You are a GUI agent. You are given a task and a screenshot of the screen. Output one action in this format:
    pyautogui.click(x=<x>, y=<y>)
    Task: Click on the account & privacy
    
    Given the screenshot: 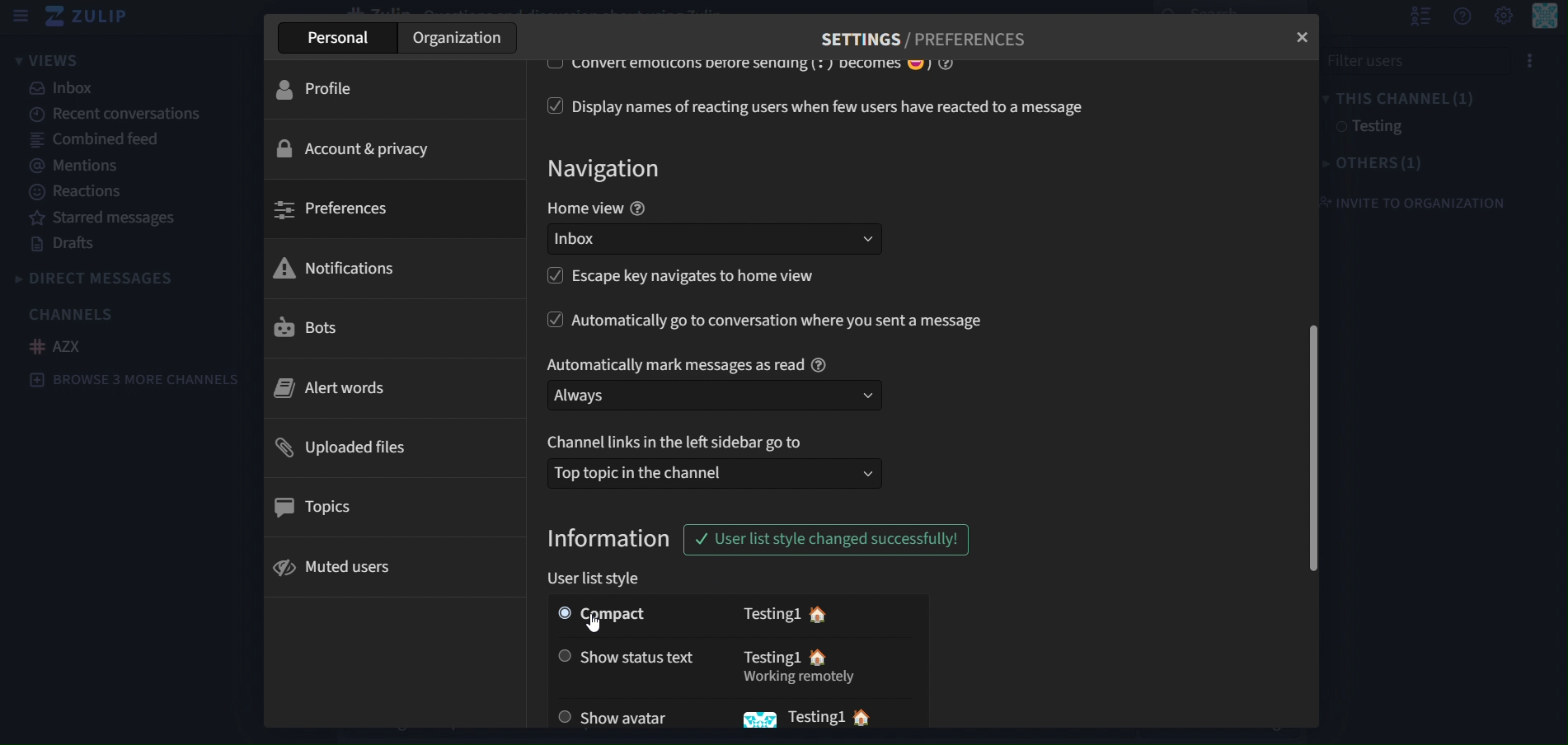 What is the action you would take?
    pyautogui.click(x=358, y=147)
    